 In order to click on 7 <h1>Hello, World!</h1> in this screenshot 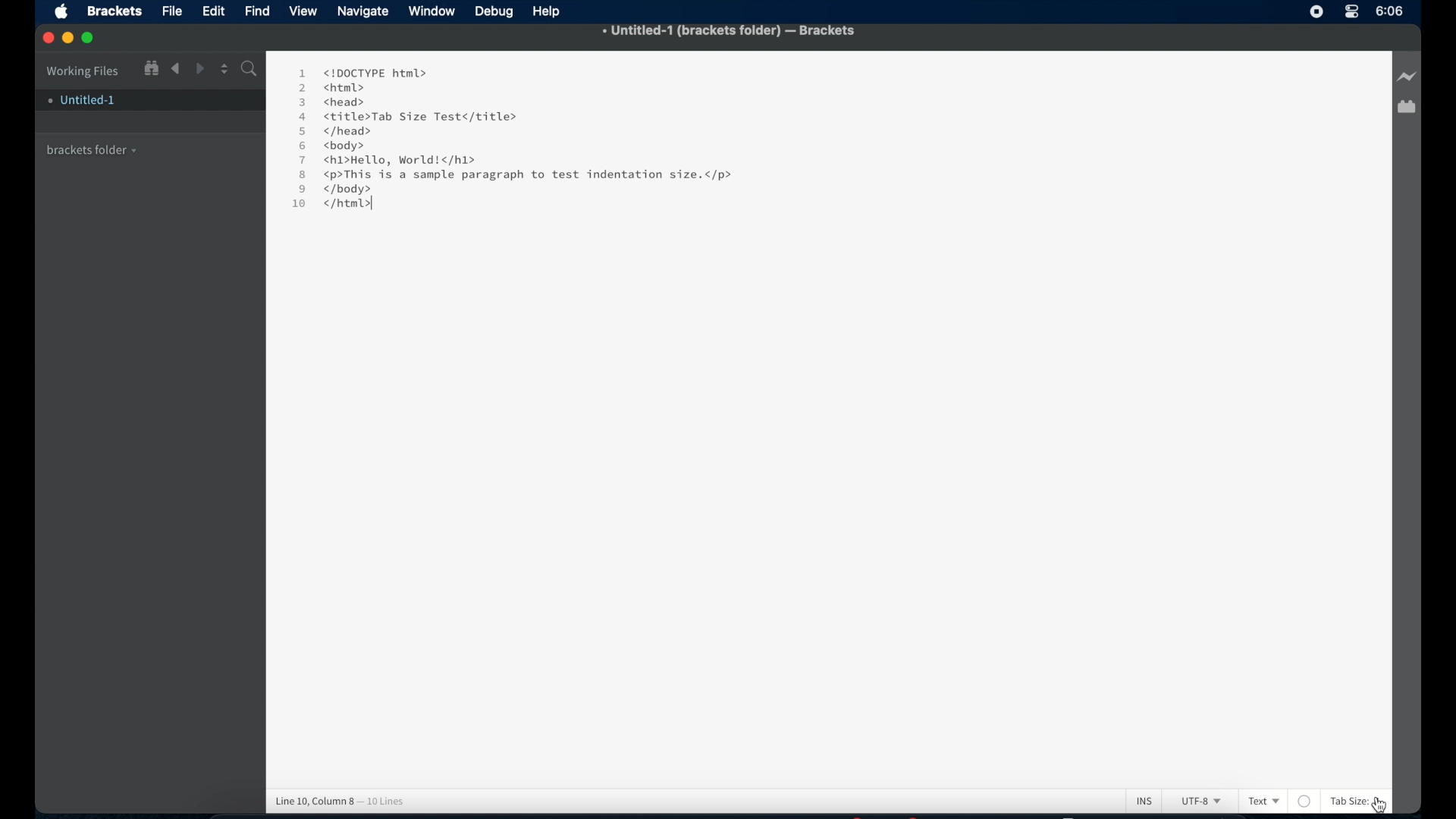, I will do `click(390, 160)`.